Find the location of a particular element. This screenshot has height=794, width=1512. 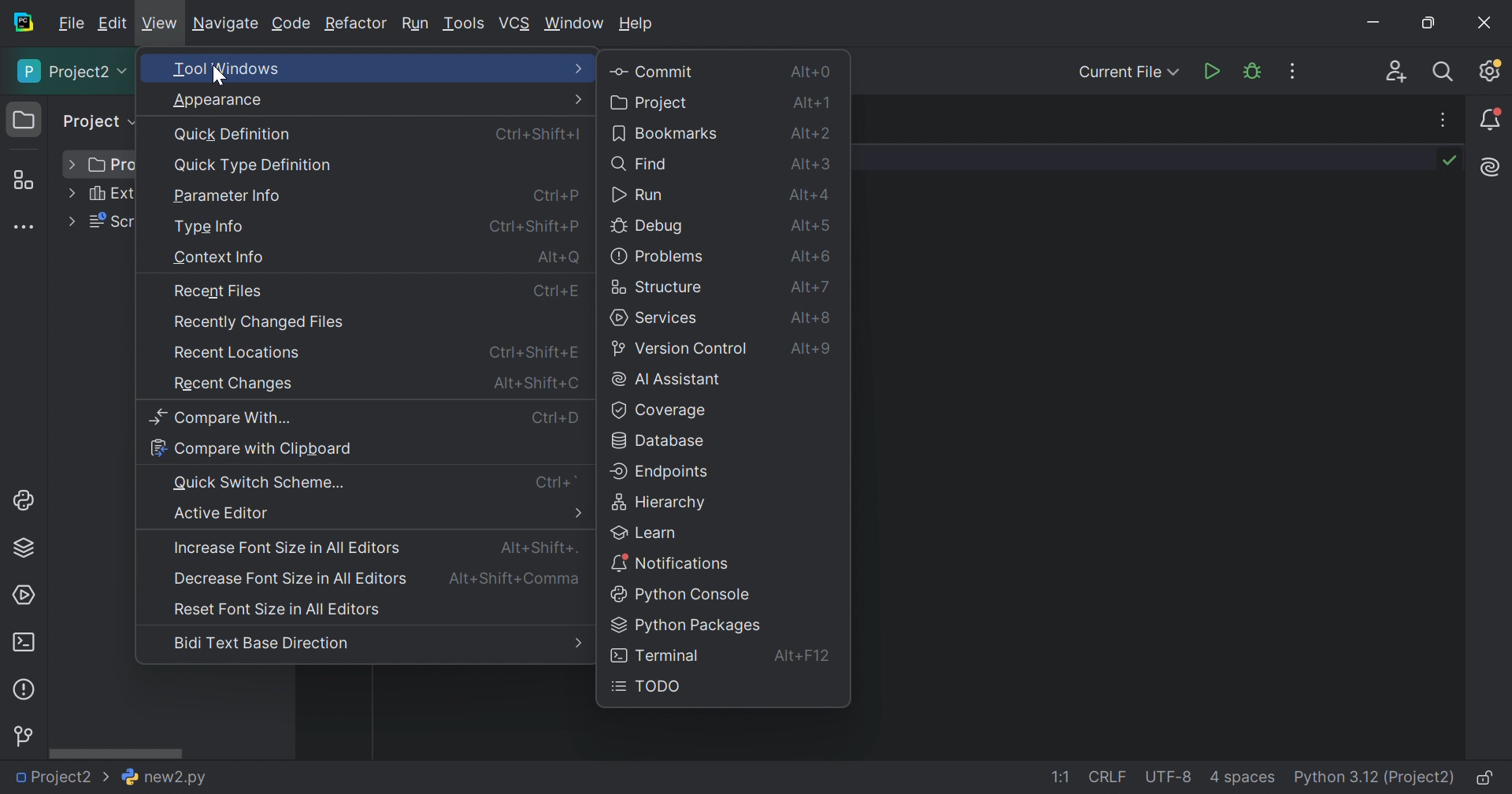

More is located at coordinates (580, 68).